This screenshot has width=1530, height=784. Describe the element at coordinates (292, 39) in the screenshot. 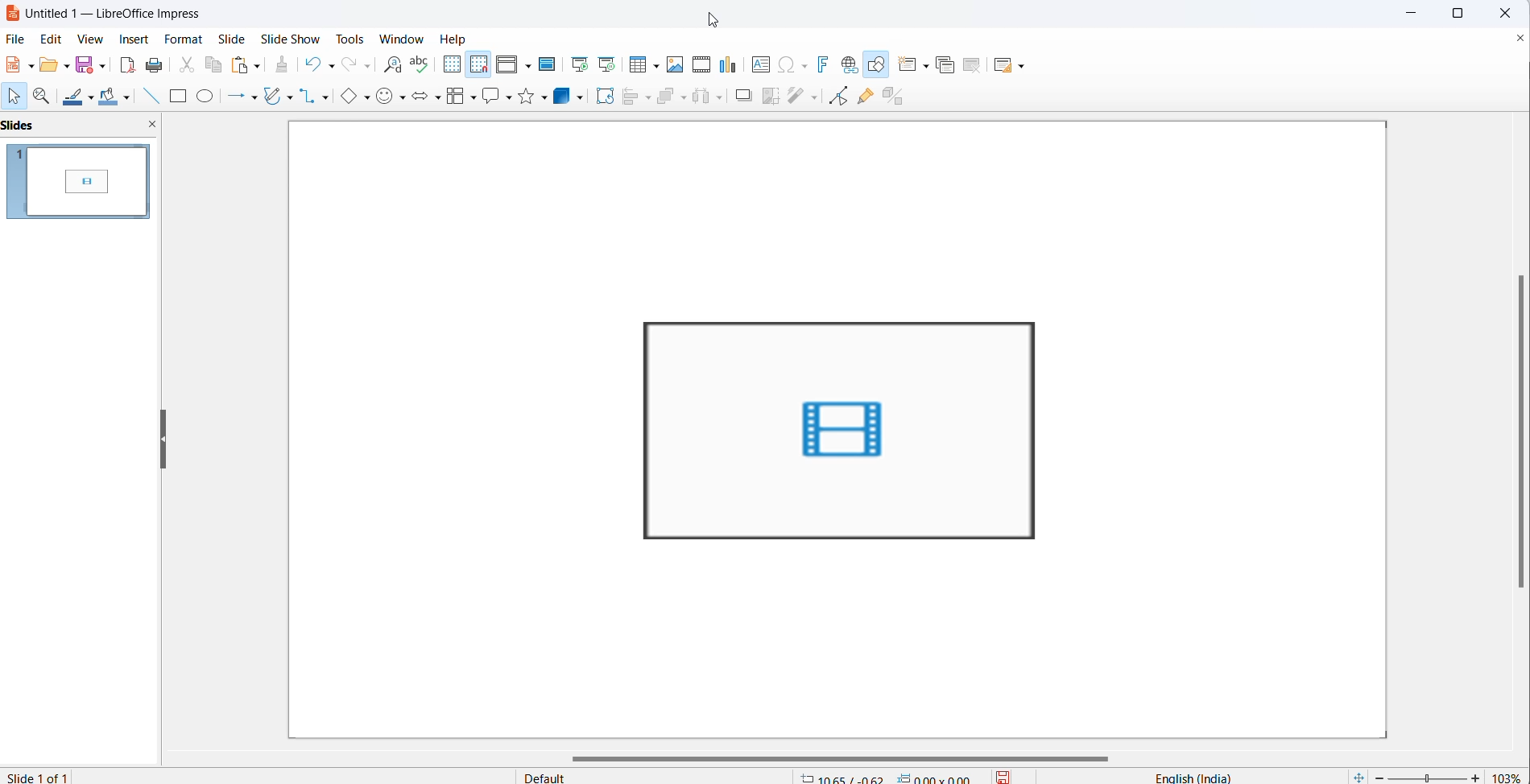

I see `slide show` at that location.